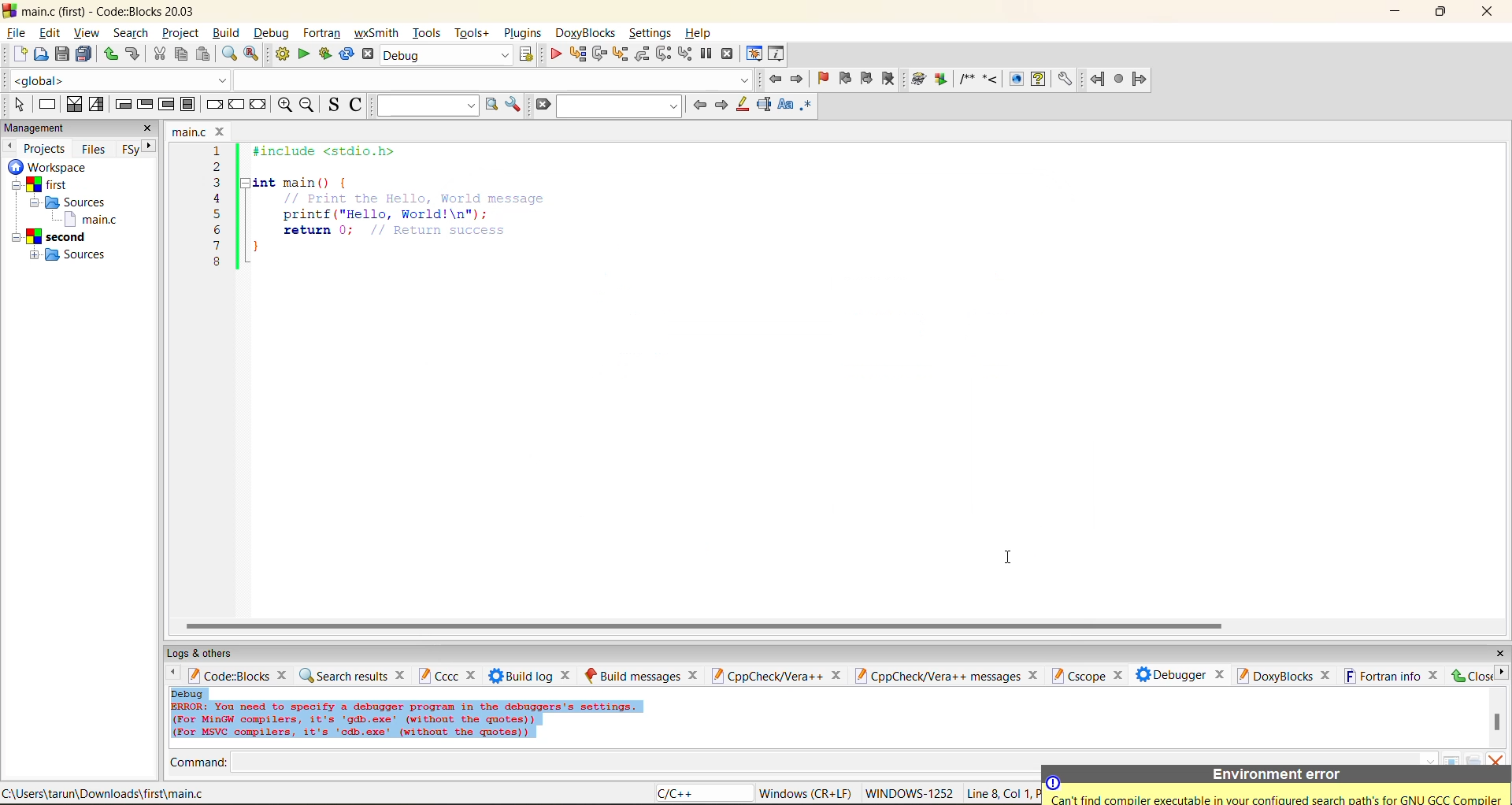 This screenshot has width=1512, height=805. I want to click on 5, so click(217, 213).